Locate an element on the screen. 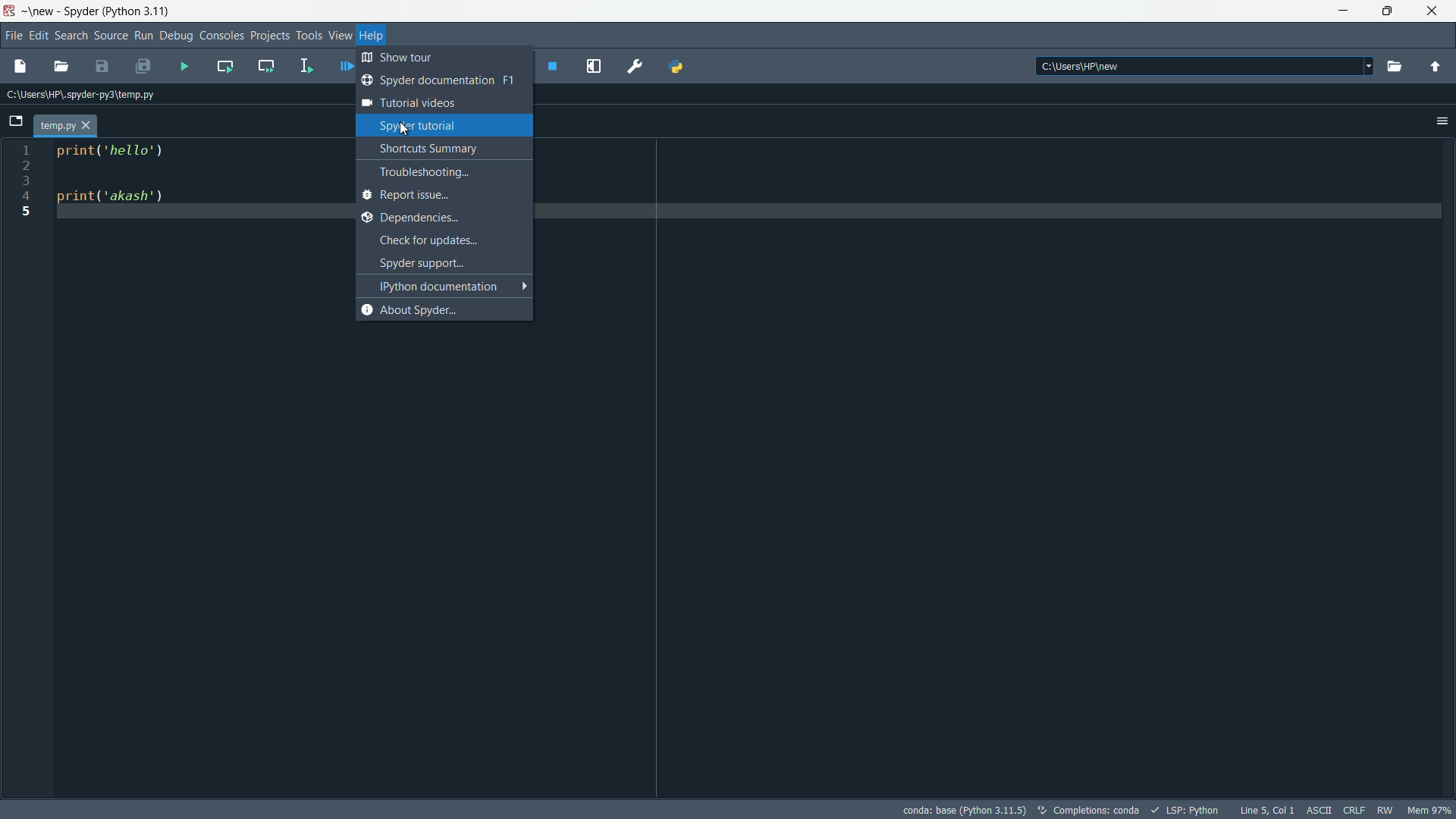 The width and height of the screenshot is (1456, 819). run current cell is located at coordinates (224, 65).